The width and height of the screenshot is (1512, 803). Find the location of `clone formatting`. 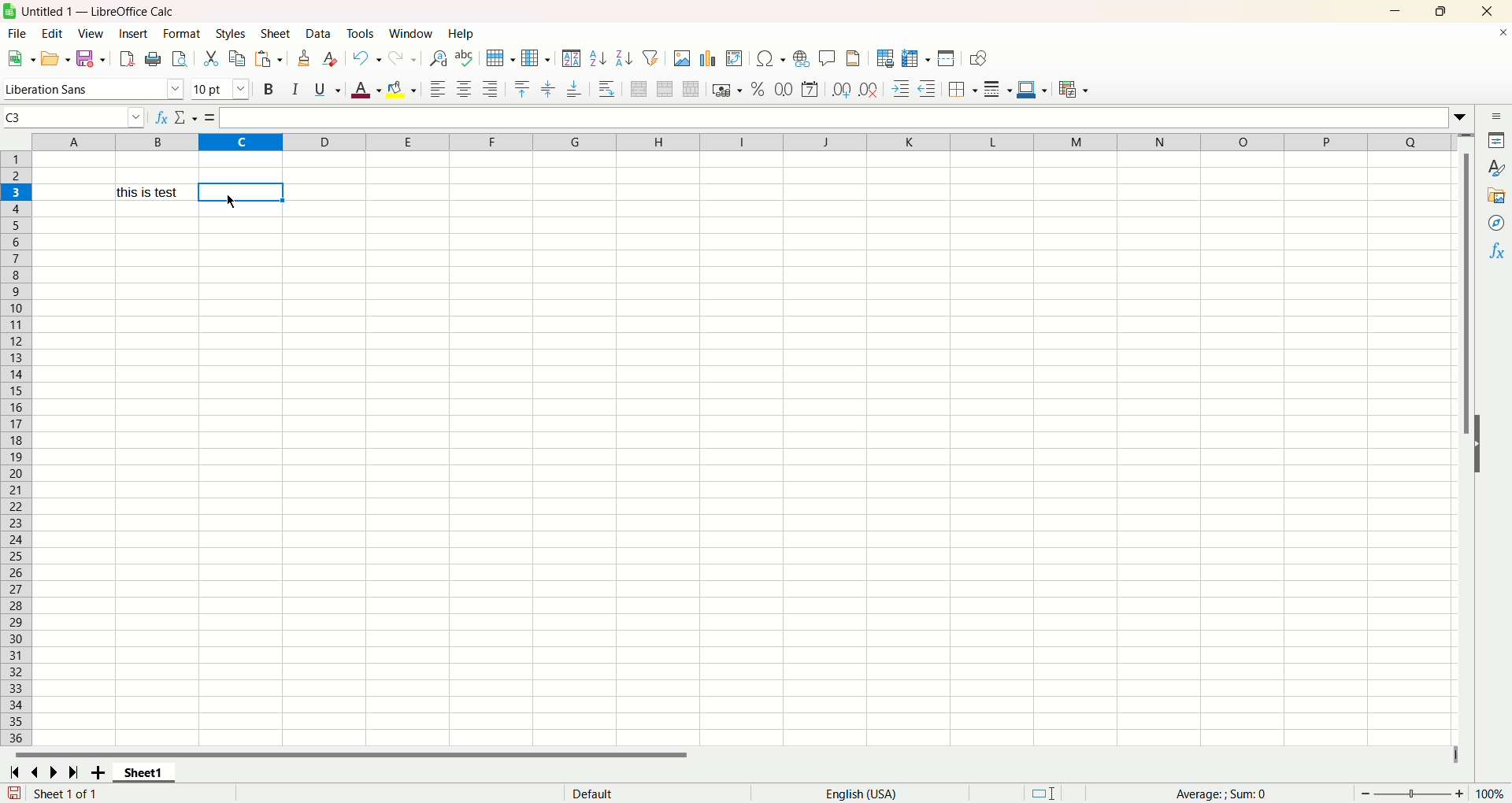

clone formatting is located at coordinates (306, 57).